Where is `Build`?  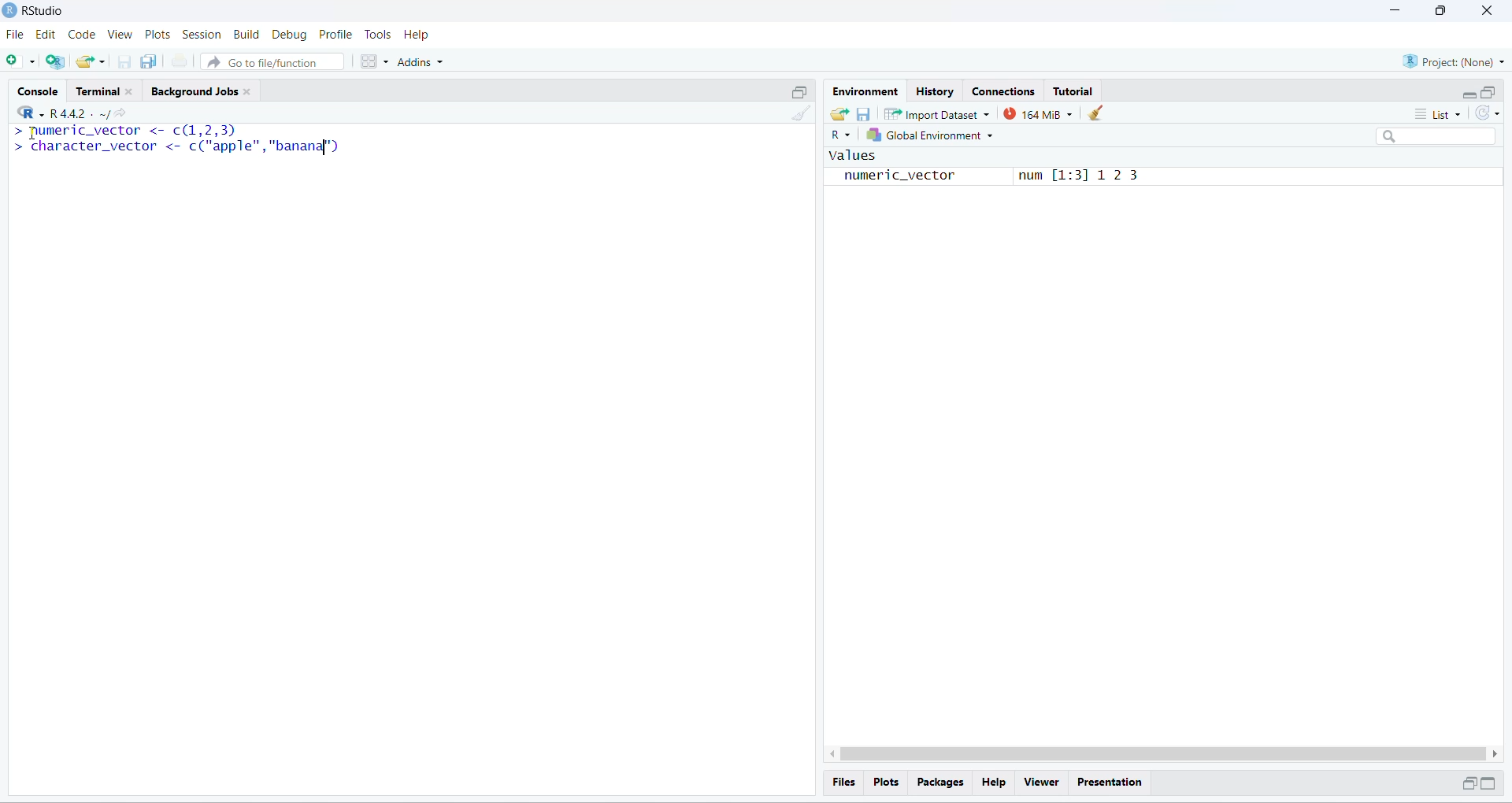 Build is located at coordinates (246, 34).